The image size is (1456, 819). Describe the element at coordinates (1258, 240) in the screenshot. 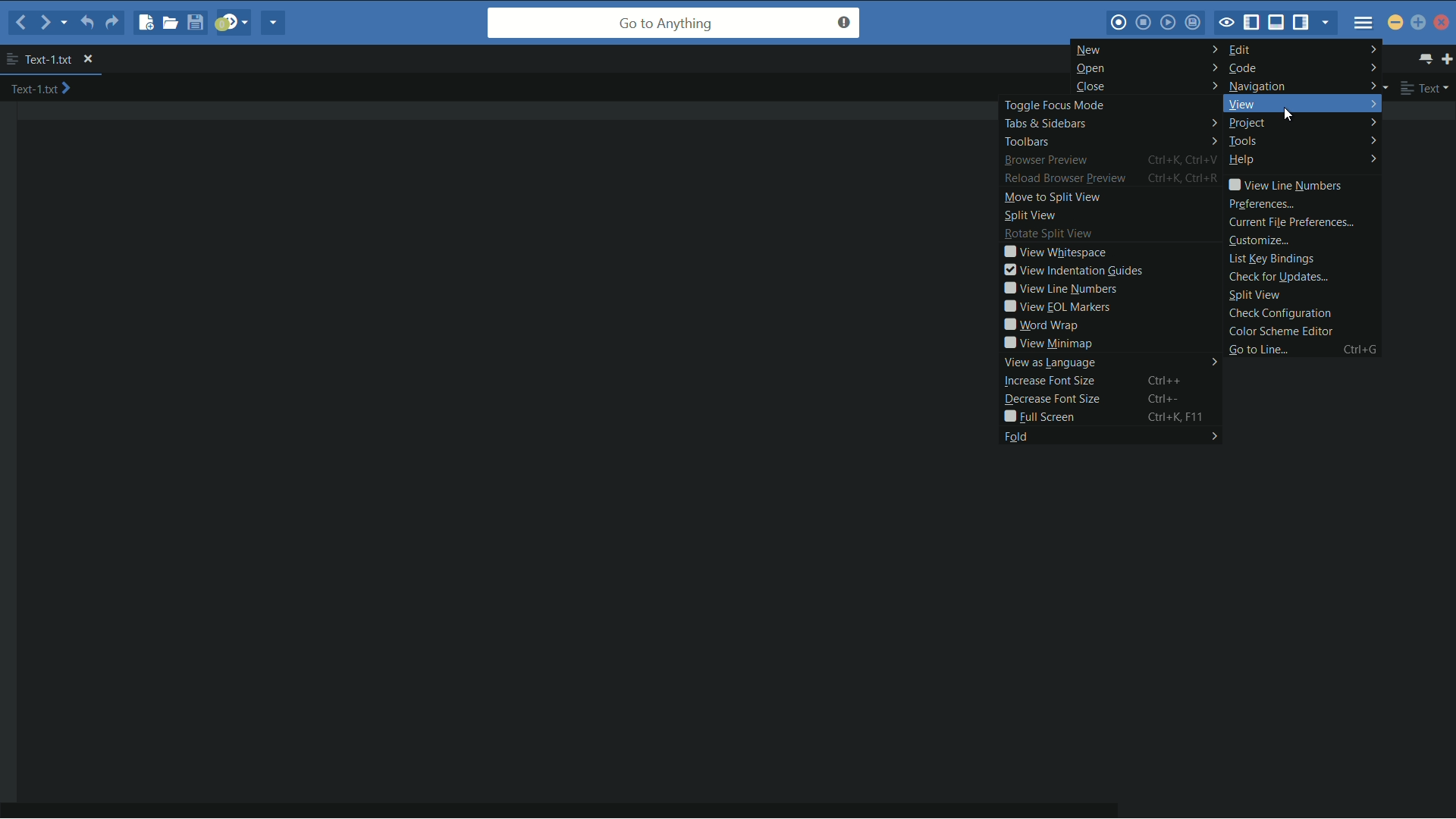

I see `customize` at that location.